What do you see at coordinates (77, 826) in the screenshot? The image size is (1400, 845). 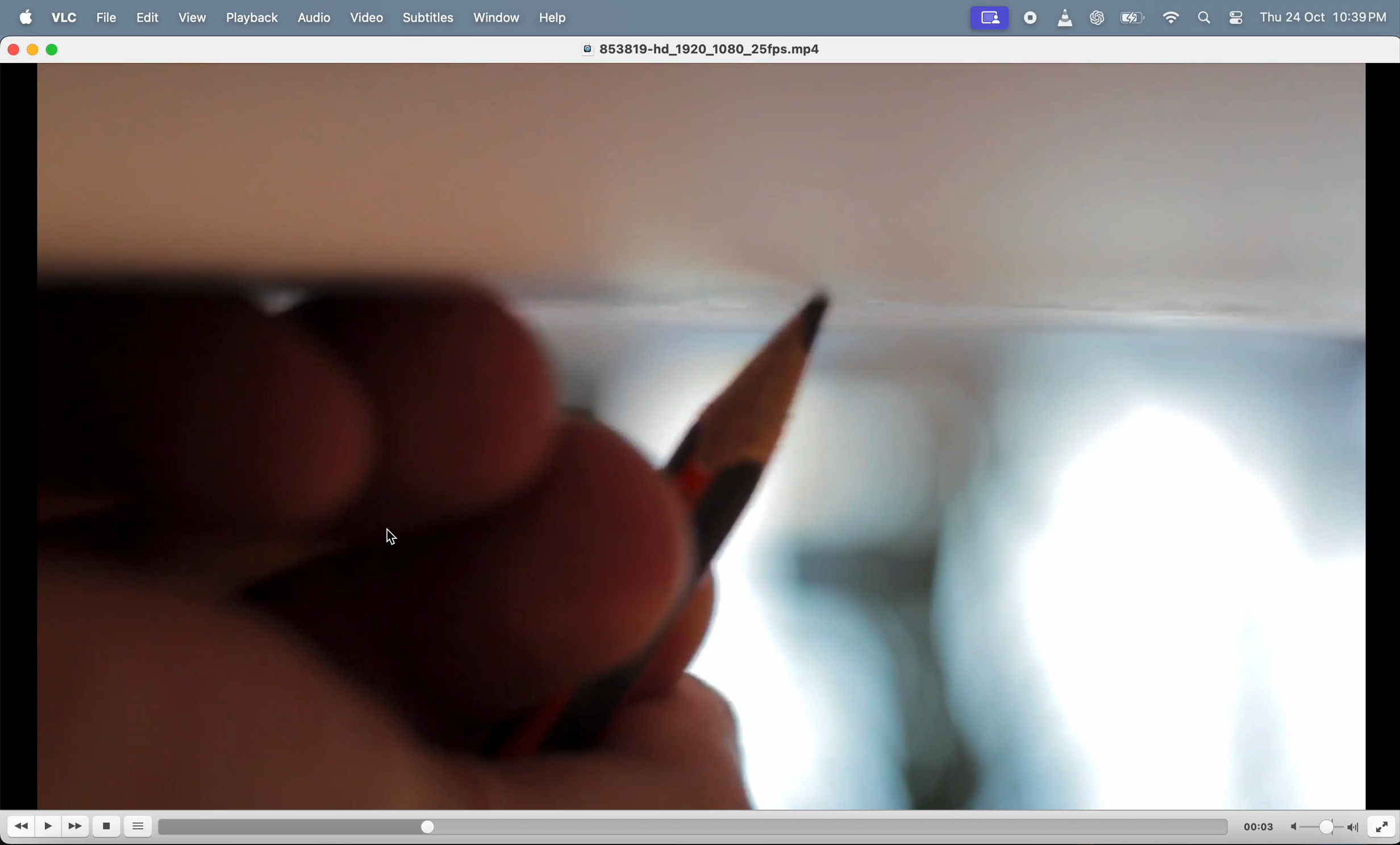 I see `Fast forward` at bounding box center [77, 826].